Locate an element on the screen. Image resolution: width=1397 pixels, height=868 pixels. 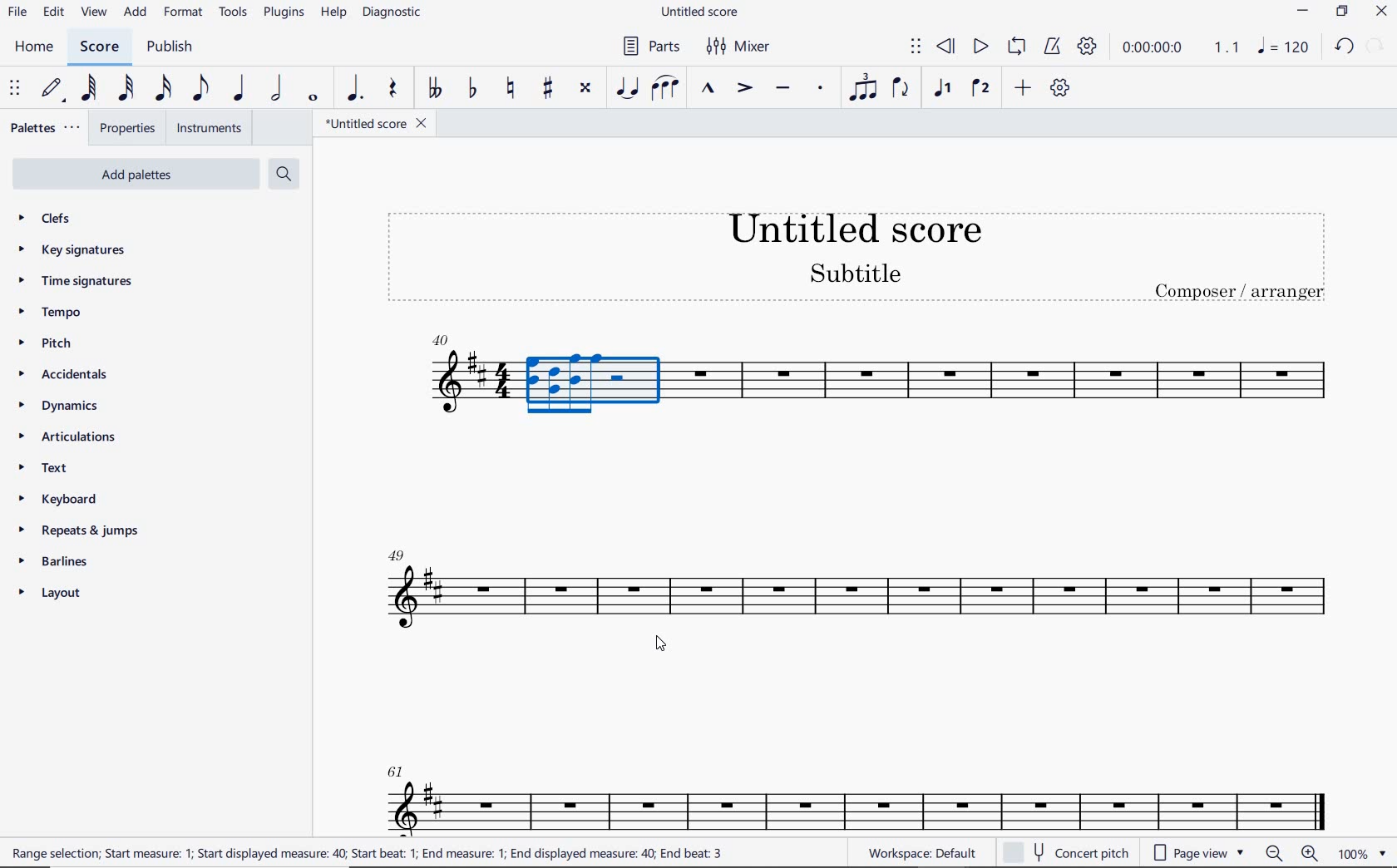
SELECET TO MOVE is located at coordinates (15, 90).